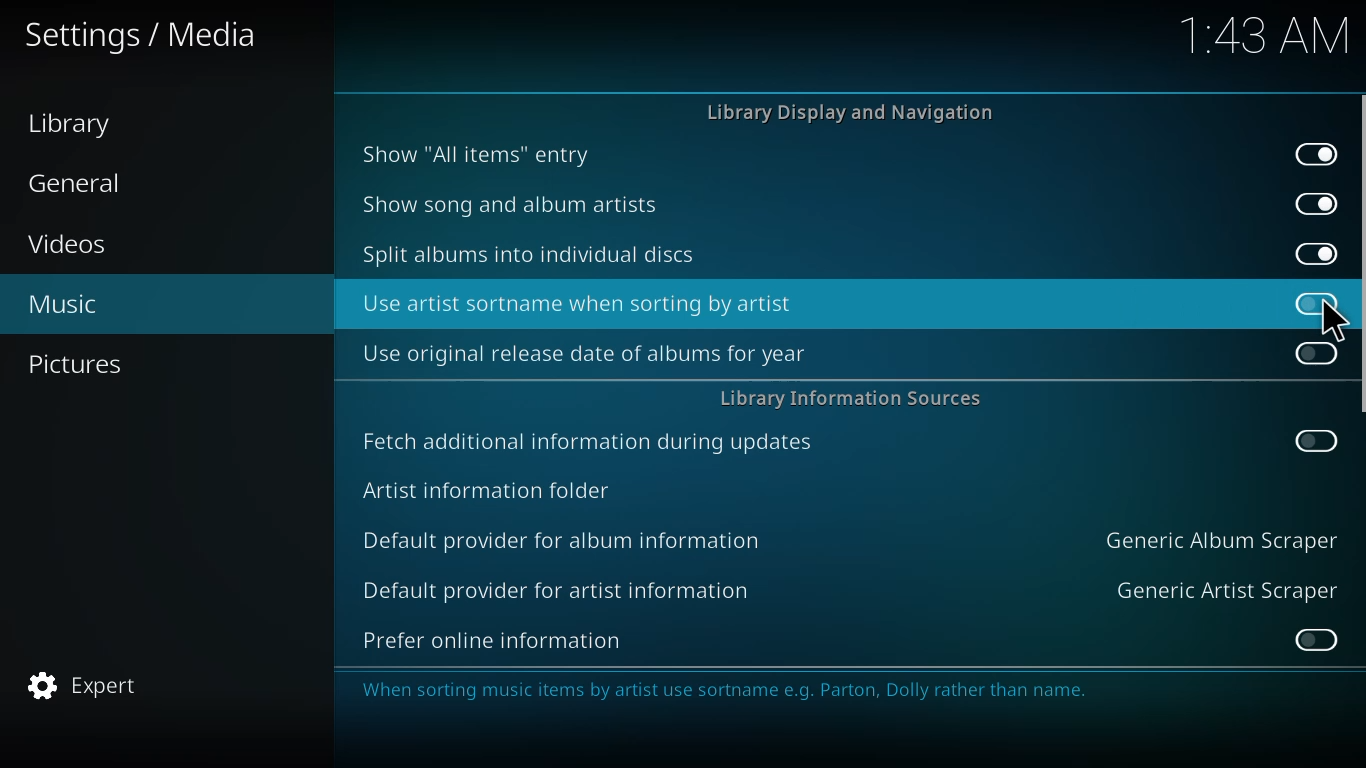  Describe the element at coordinates (78, 362) in the screenshot. I see `pictures` at that location.